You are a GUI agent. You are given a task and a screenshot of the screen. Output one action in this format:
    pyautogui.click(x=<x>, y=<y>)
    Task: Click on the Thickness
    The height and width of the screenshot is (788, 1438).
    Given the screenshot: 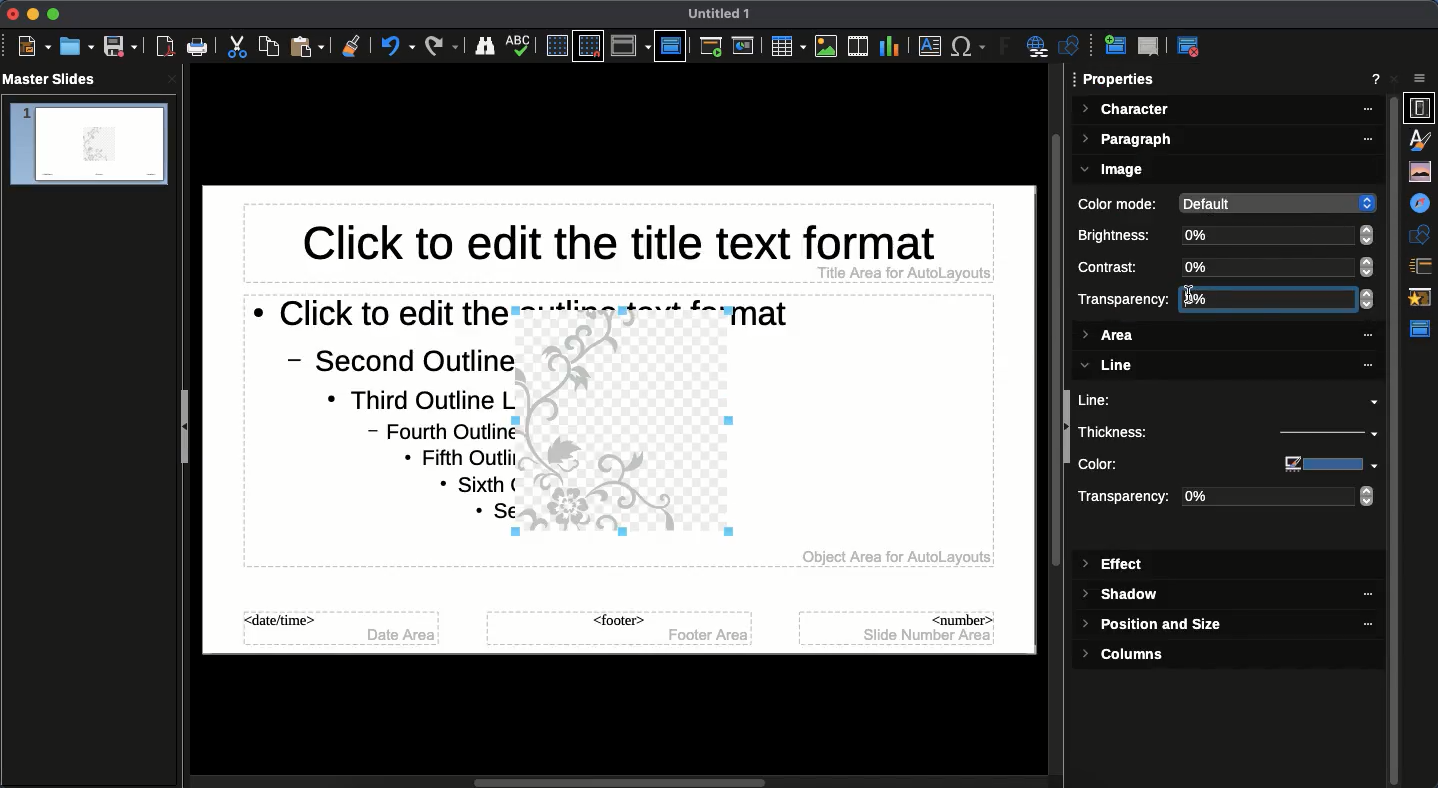 What is the action you would take?
    pyautogui.click(x=1159, y=431)
    